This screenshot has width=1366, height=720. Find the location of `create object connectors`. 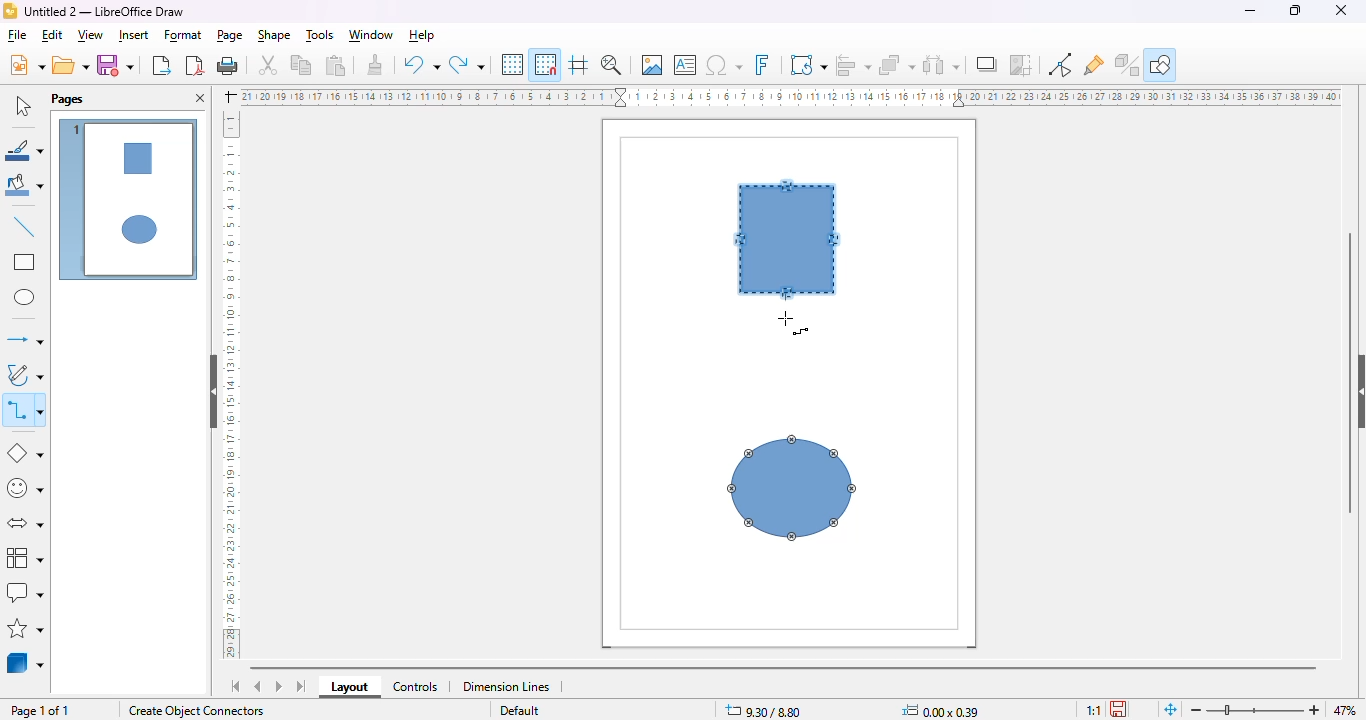

create object connectors is located at coordinates (197, 711).